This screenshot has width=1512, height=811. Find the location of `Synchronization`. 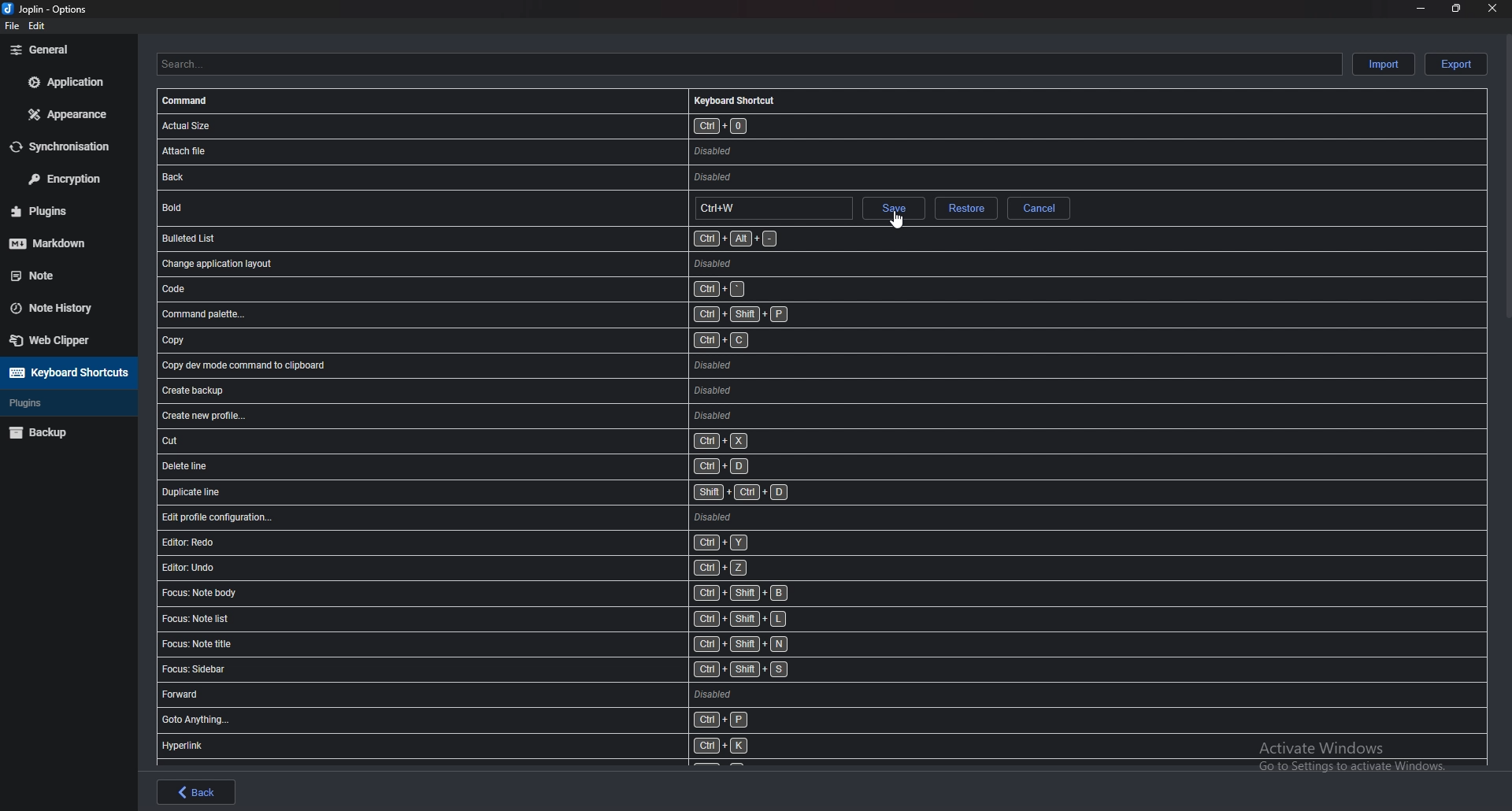

Synchronization is located at coordinates (68, 146).